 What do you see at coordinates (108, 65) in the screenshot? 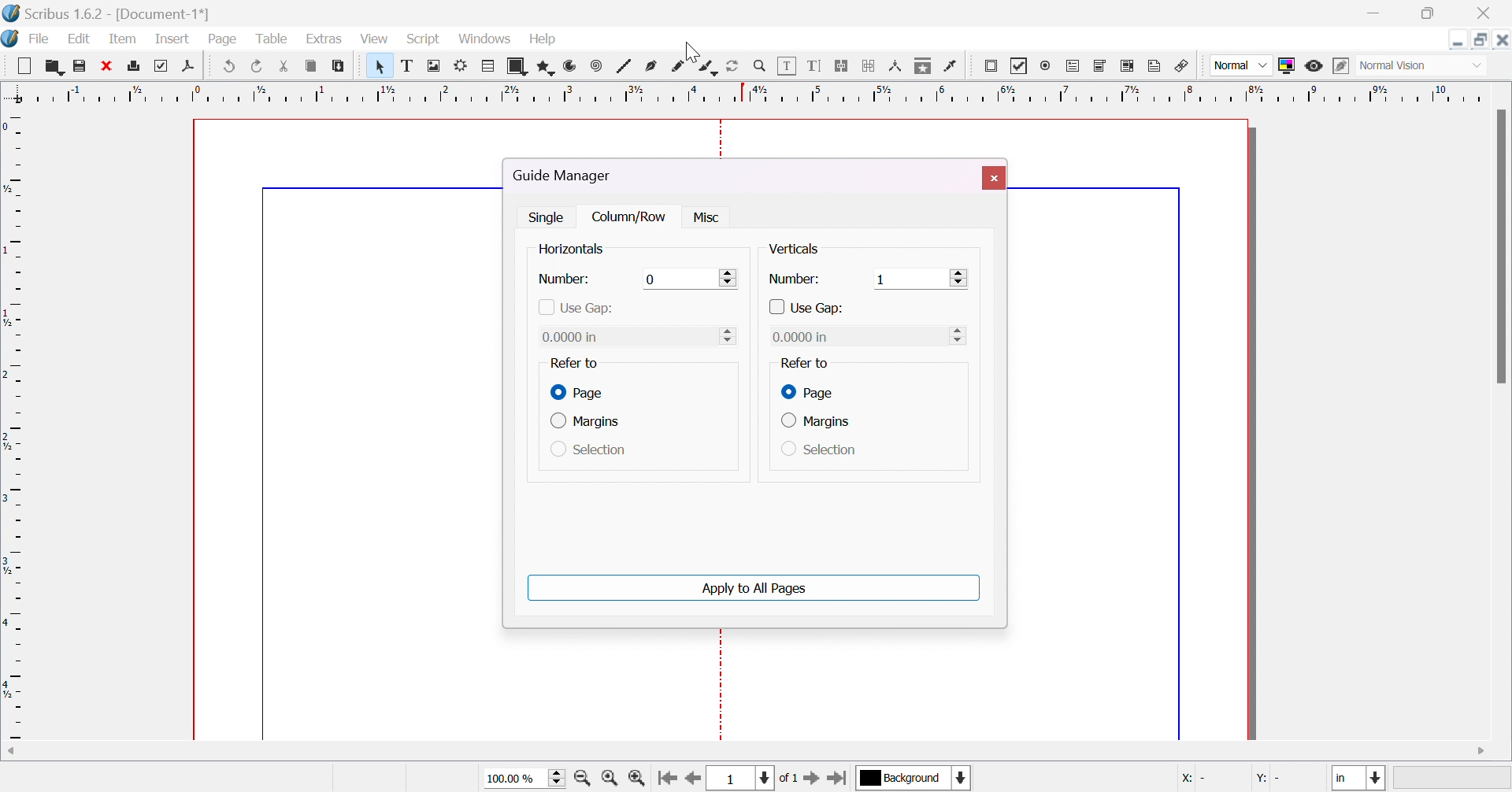
I see `close` at bounding box center [108, 65].